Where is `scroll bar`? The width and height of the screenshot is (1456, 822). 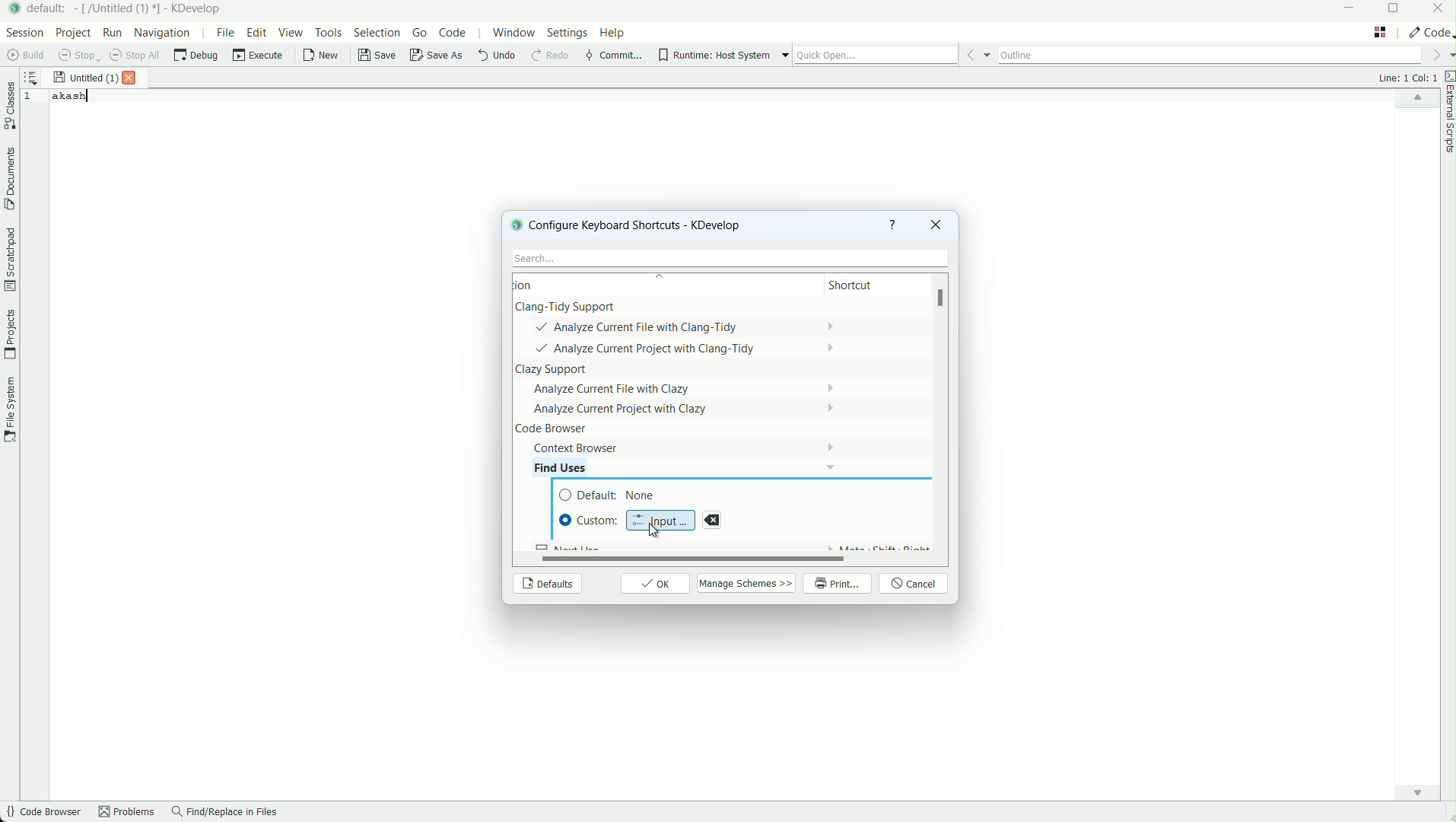 scroll bar is located at coordinates (684, 559).